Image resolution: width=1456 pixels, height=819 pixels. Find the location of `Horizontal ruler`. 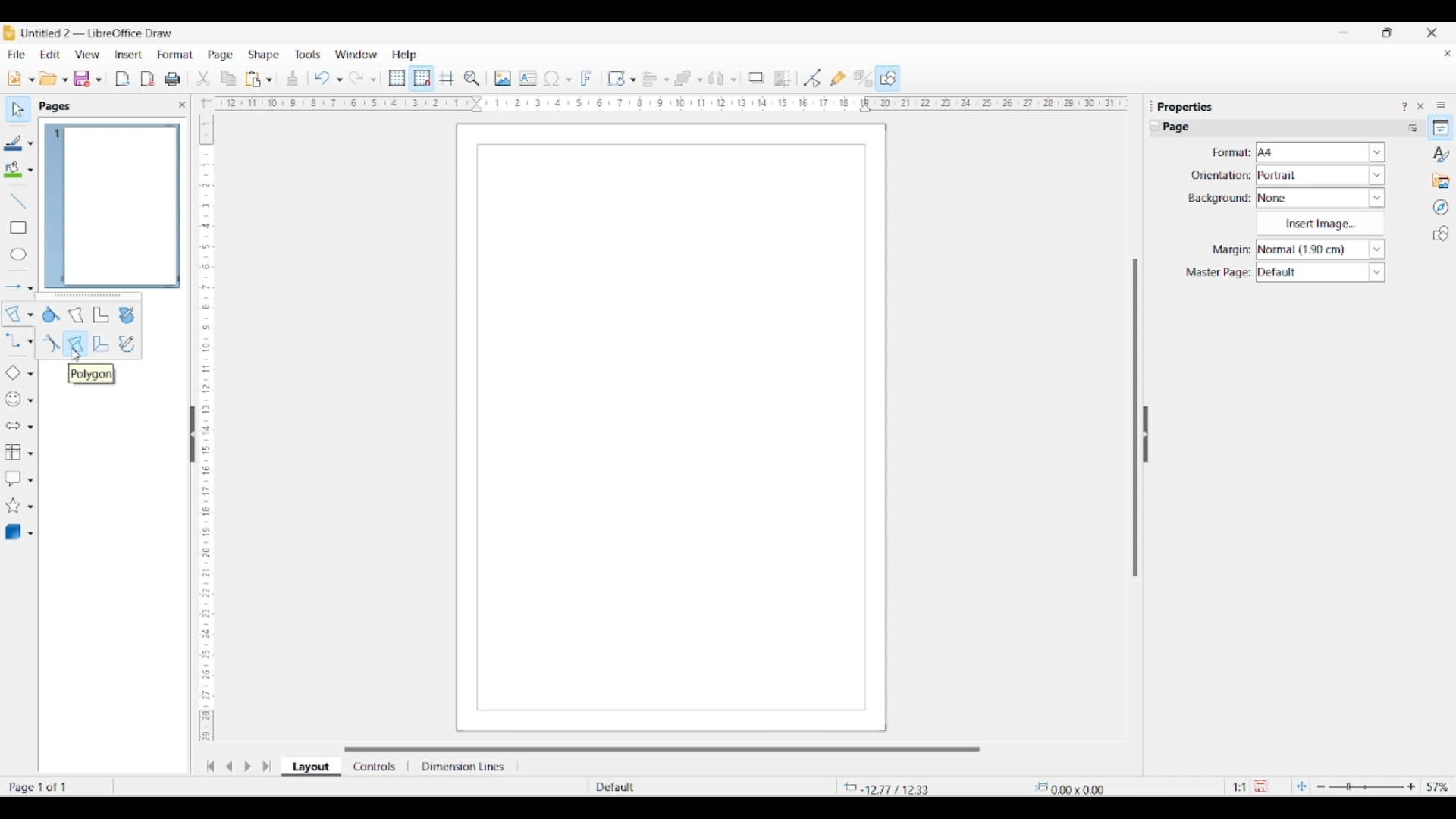

Horizontal ruler is located at coordinates (666, 103).